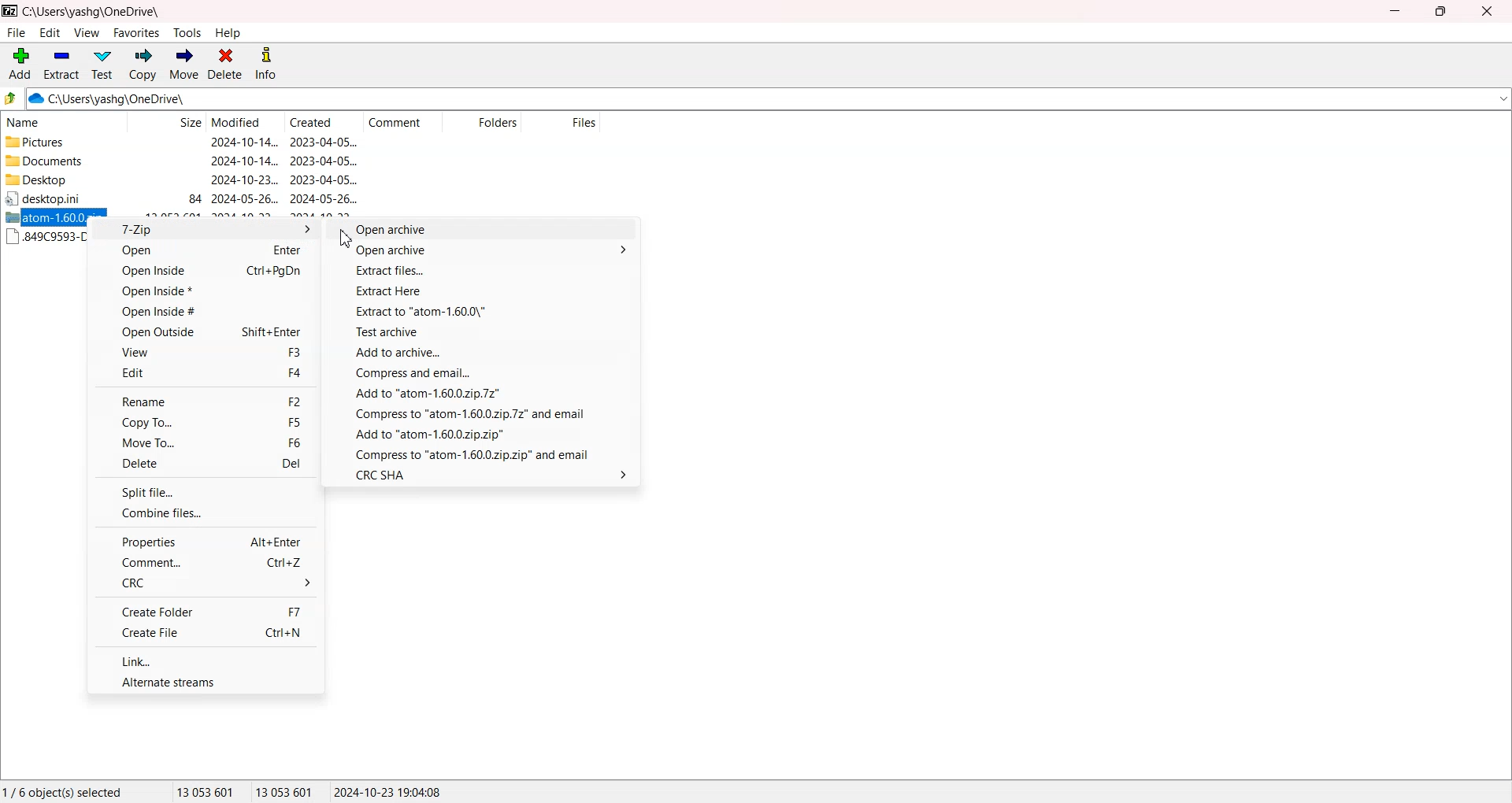  Describe the element at coordinates (204, 291) in the screenshot. I see `Open Inside*` at that location.